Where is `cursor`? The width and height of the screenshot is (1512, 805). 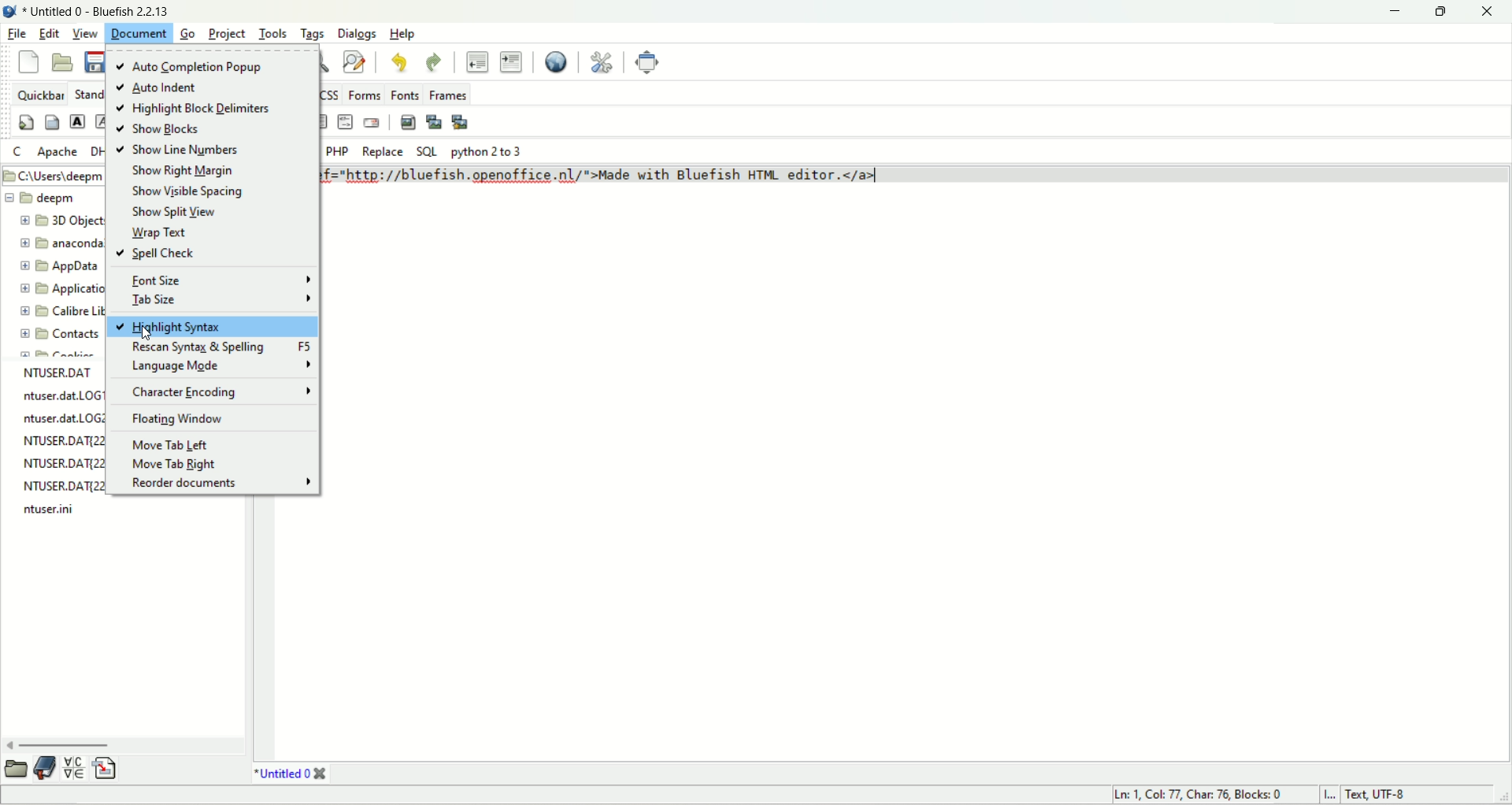
cursor is located at coordinates (146, 336).